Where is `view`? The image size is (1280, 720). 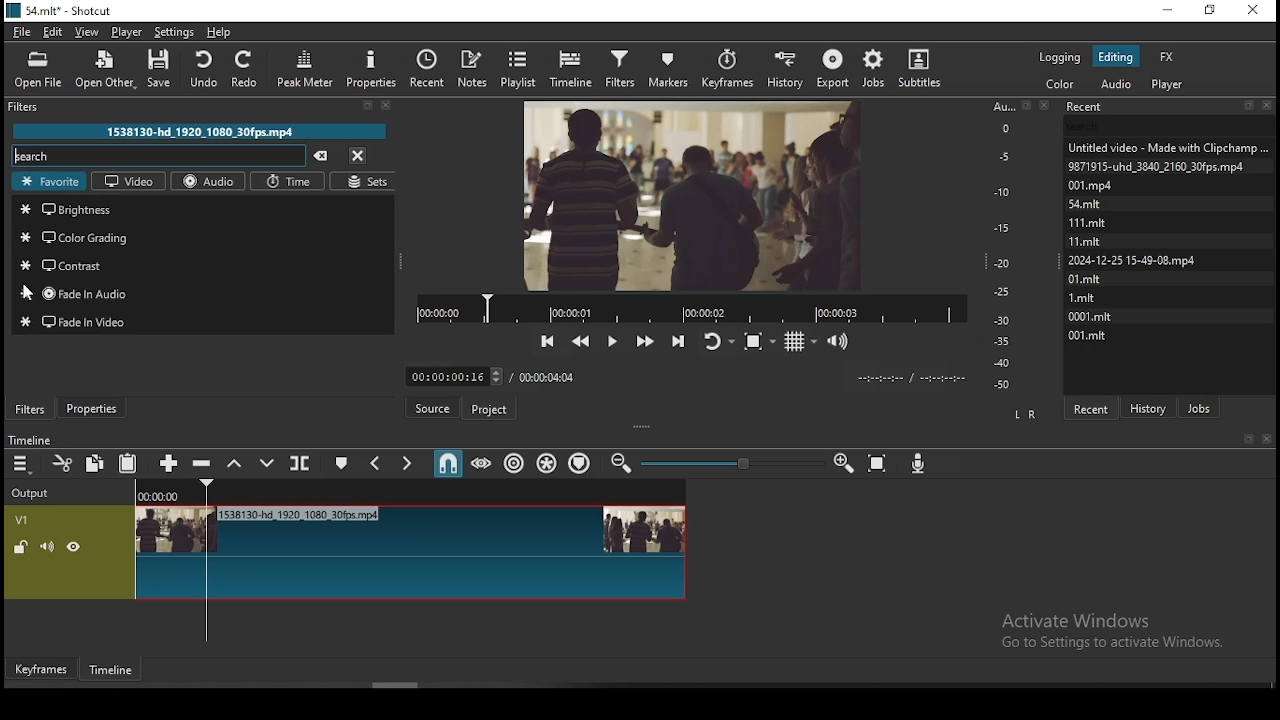 view is located at coordinates (88, 32).